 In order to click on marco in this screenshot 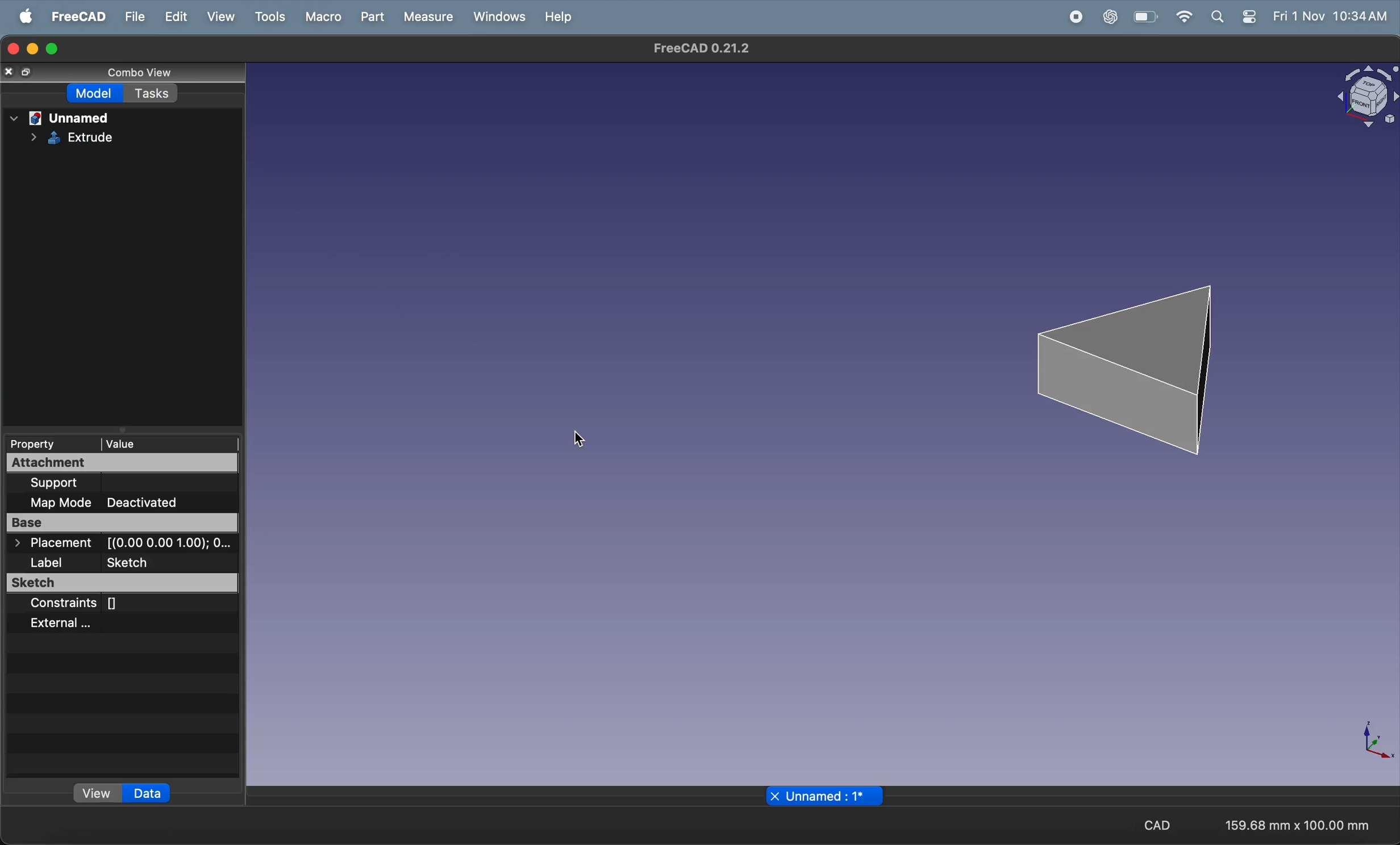, I will do `click(326, 18)`.